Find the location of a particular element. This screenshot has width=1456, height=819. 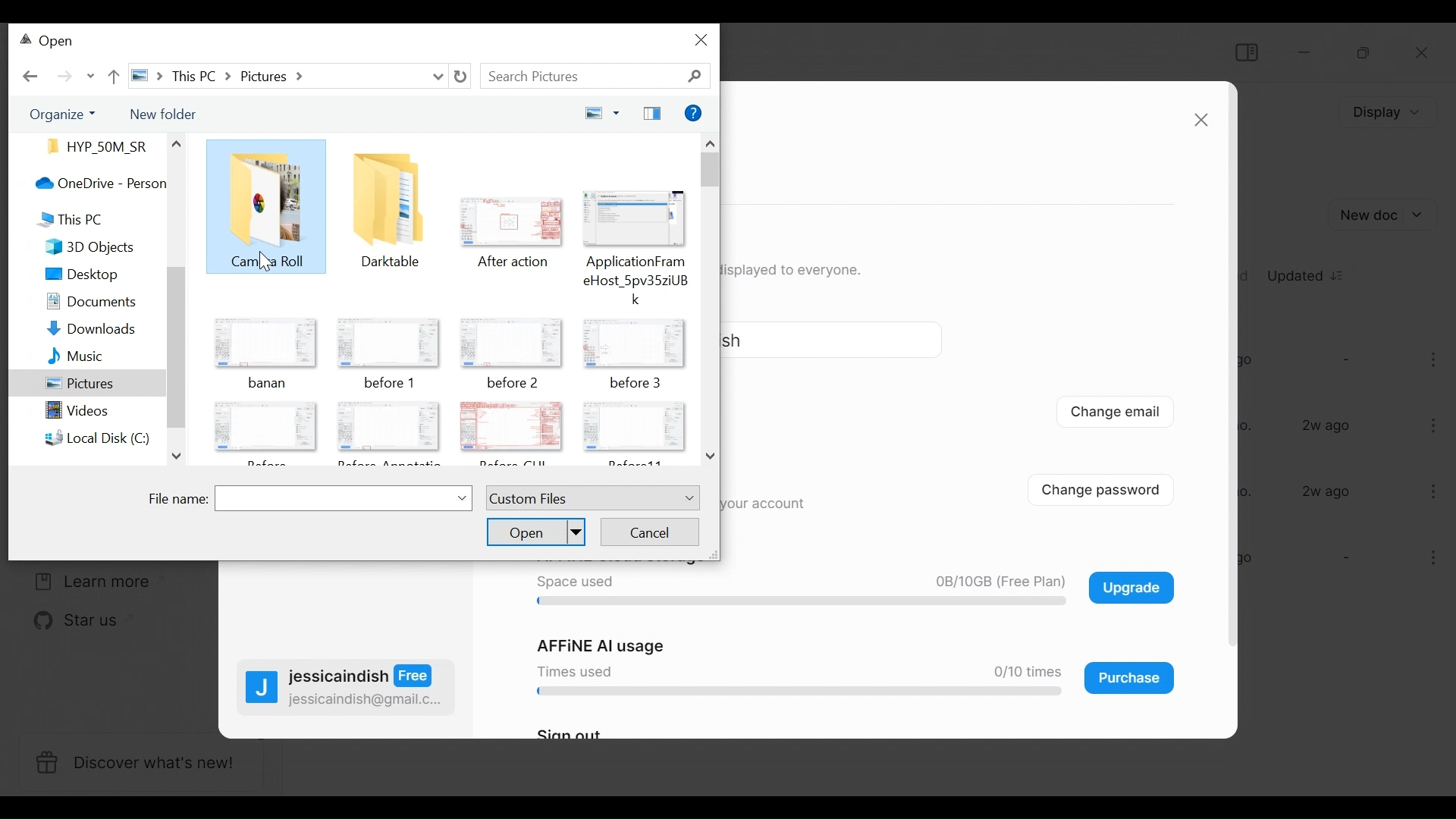

before 1 is located at coordinates (388, 384).